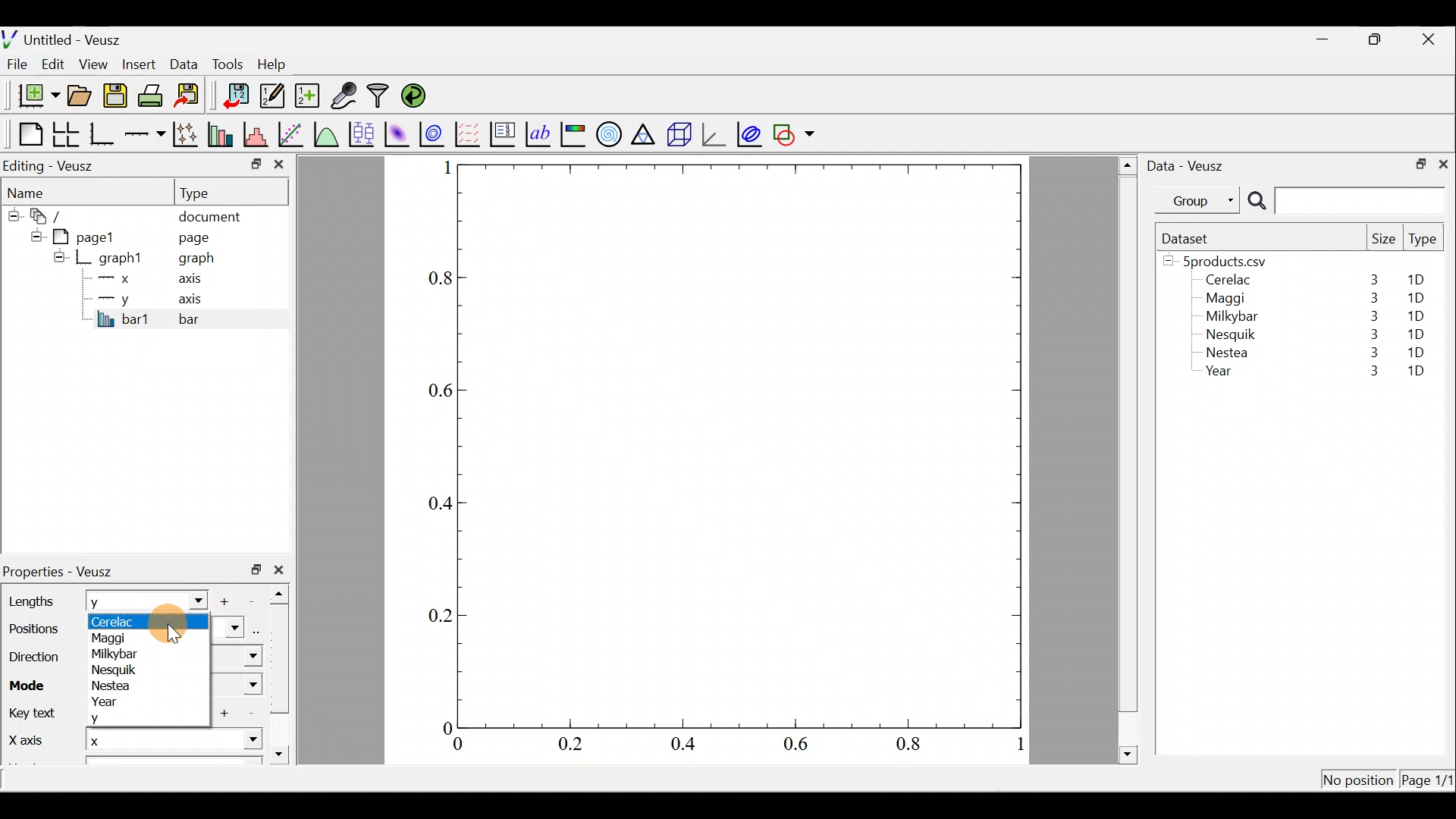 The width and height of the screenshot is (1456, 819). I want to click on Print the document, so click(155, 95).